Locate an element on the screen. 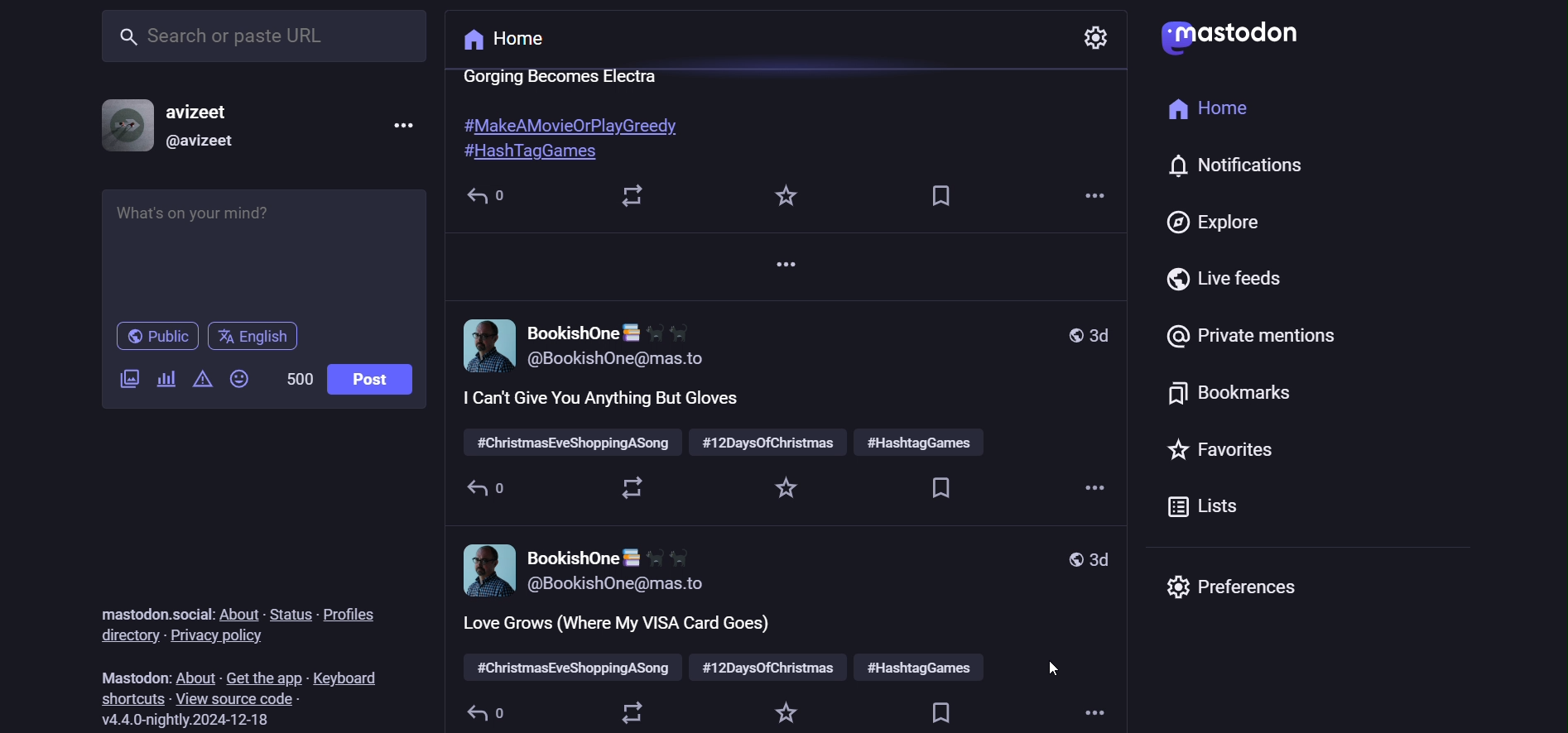 Image resolution: width=1568 pixels, height=733 pixels. boost is located at coordinates (623, 194).